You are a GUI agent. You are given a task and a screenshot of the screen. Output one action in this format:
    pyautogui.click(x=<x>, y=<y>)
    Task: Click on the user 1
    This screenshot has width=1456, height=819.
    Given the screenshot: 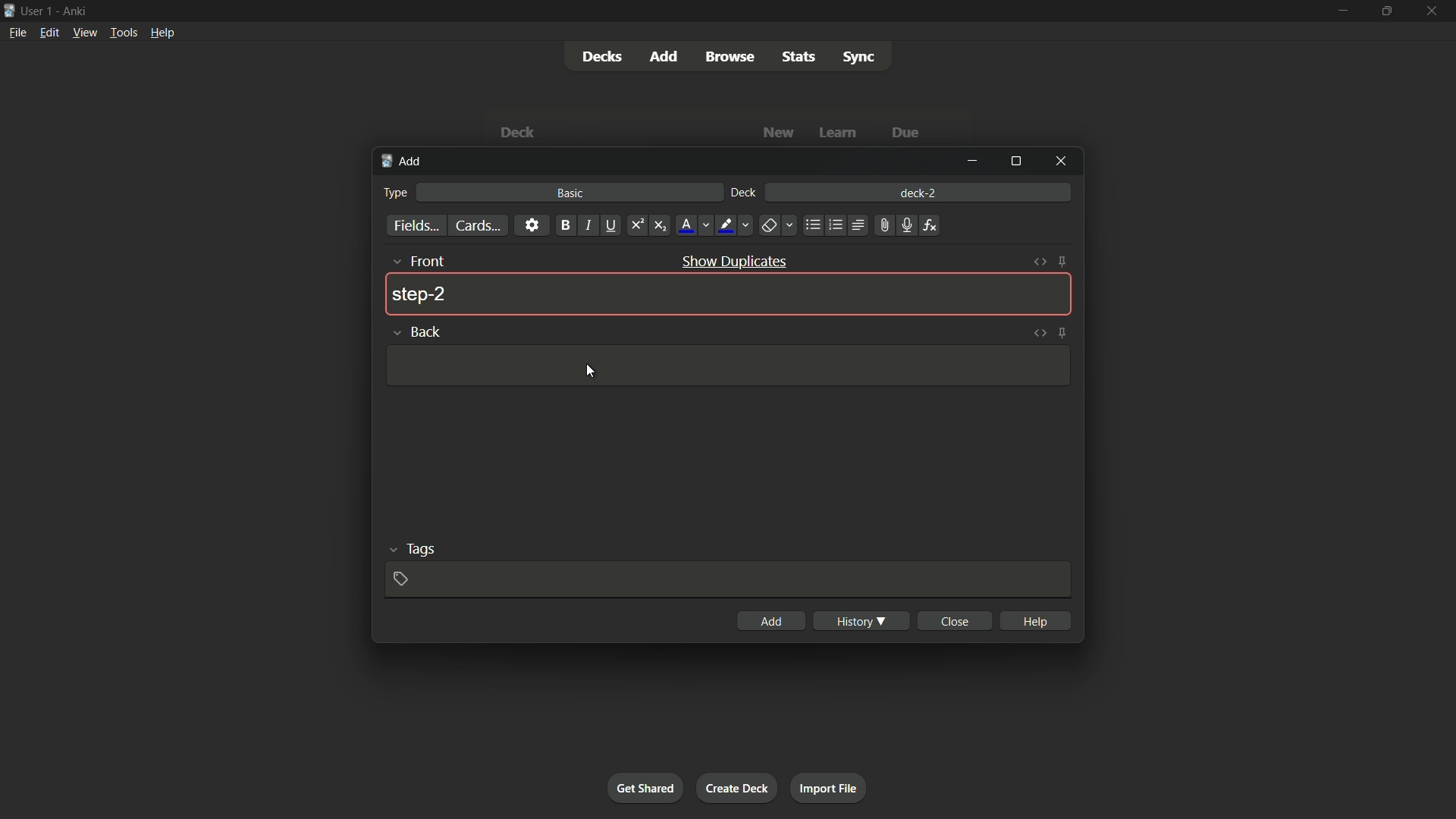 What is the action you would take?
    pyautogui.click(x=39, y=13)
    